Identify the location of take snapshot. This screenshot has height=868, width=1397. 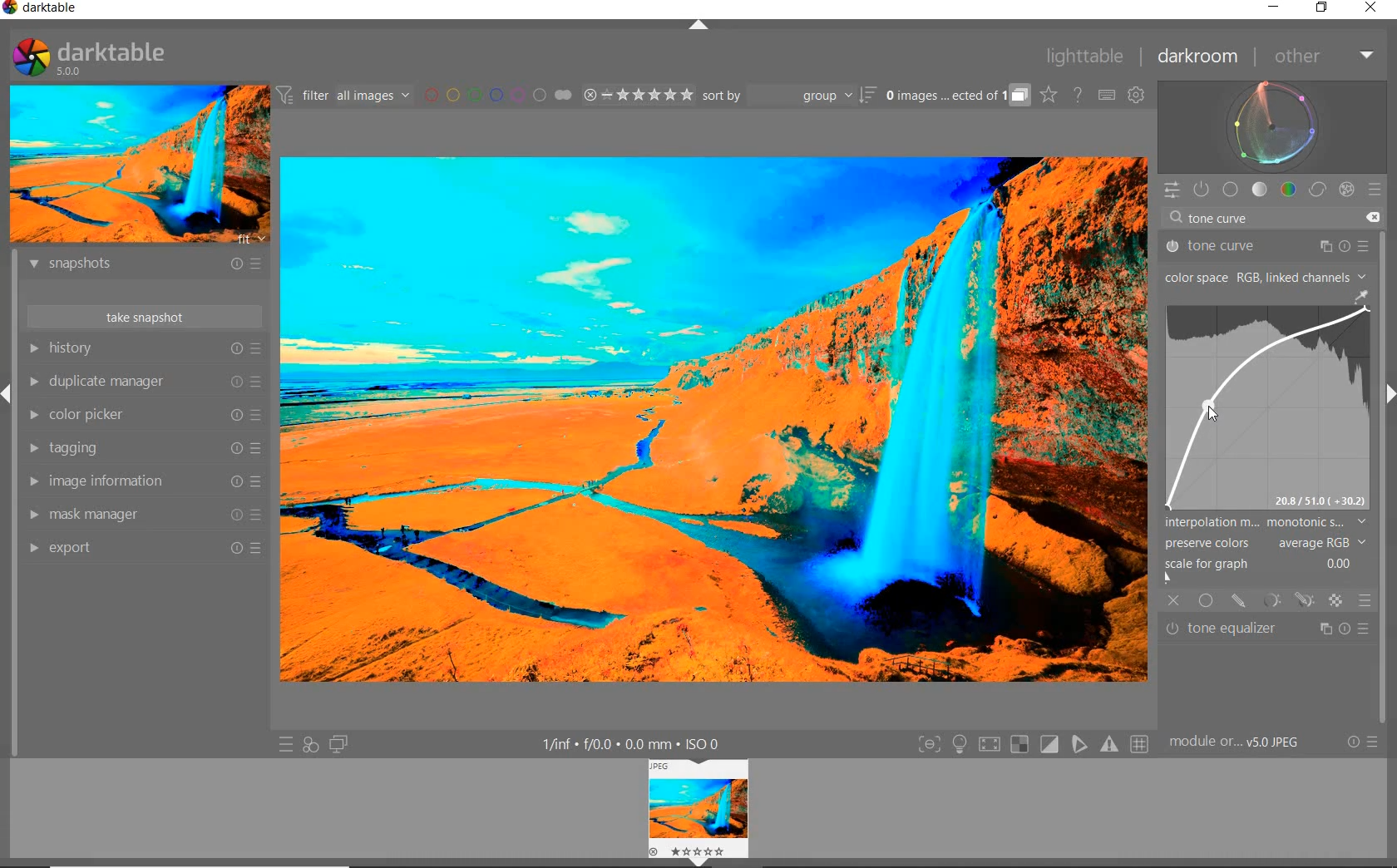
(144, 315).